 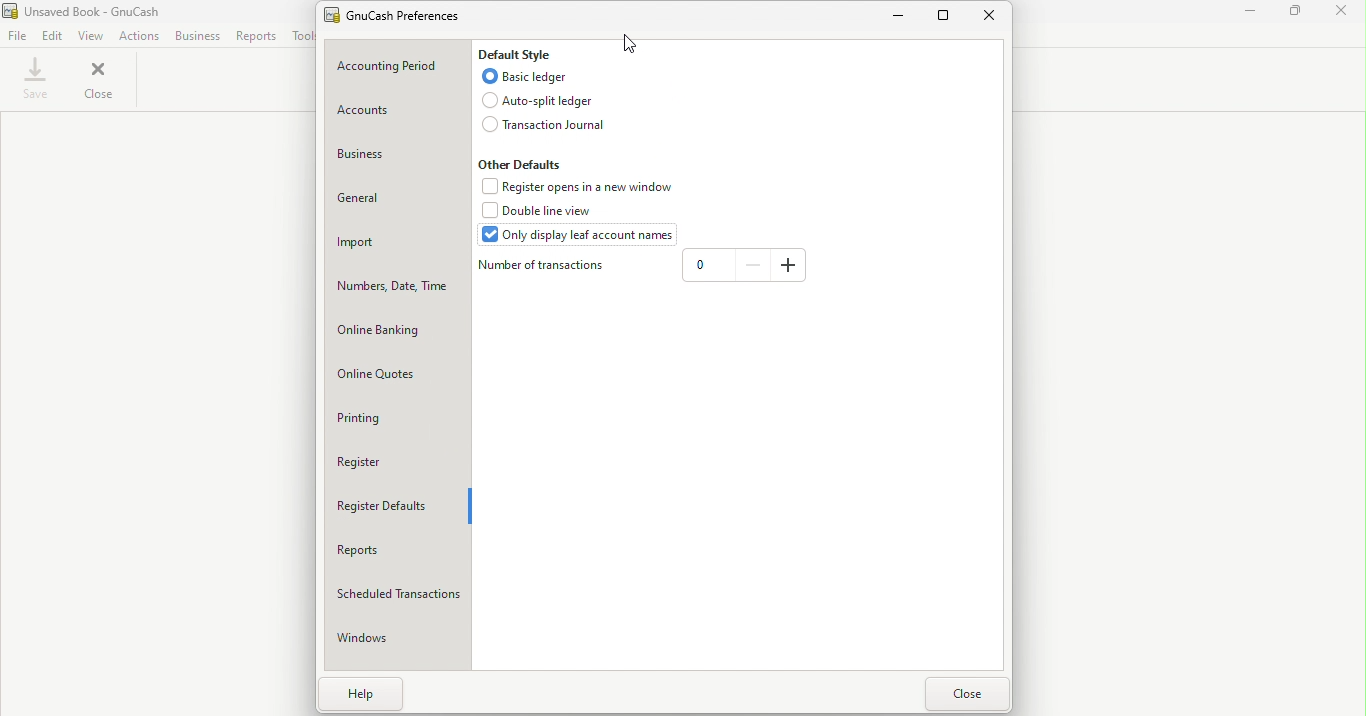 I want to click on Printing, so click(x=396, y=419).